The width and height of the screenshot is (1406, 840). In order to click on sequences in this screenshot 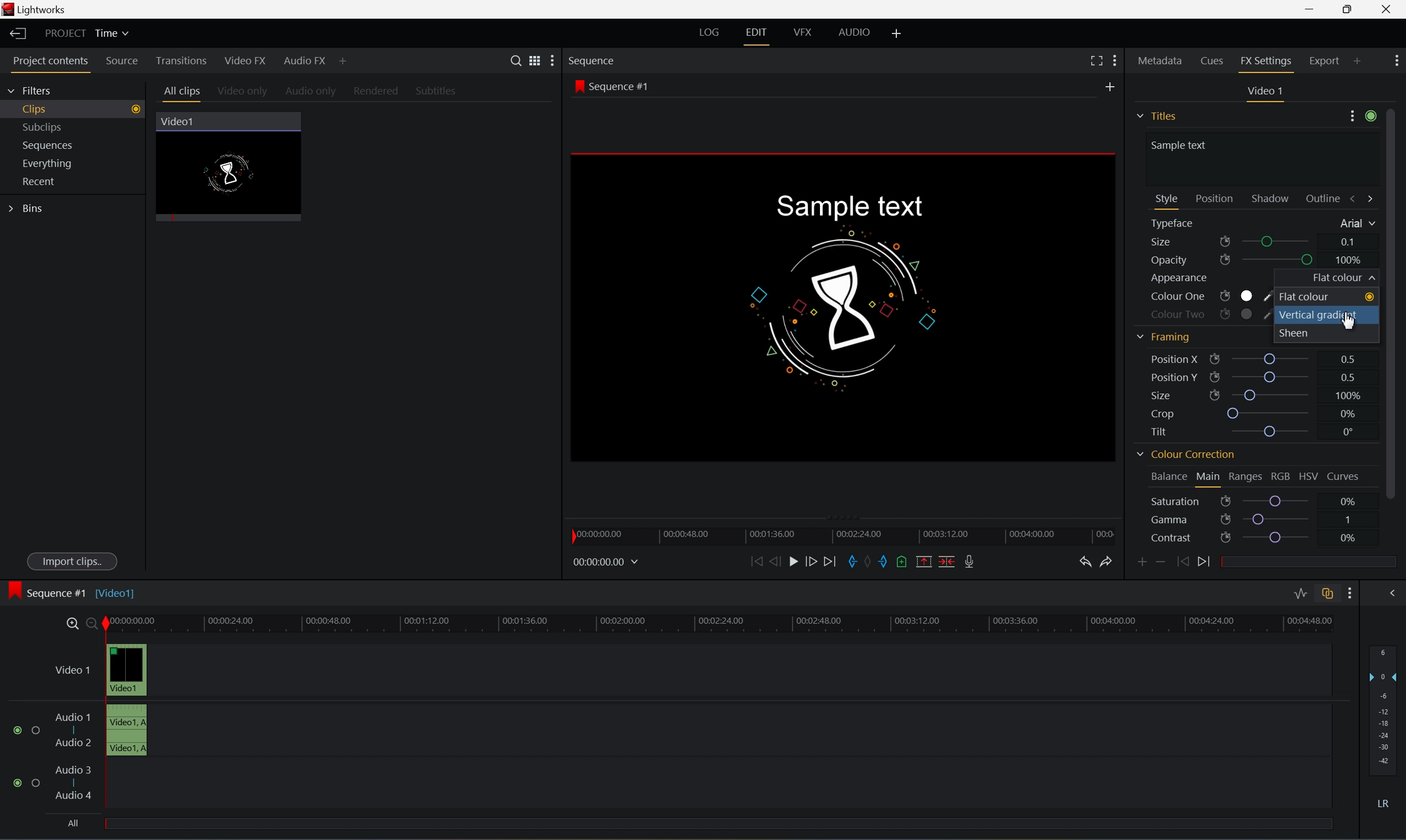, I will do `click(48, 145)`.